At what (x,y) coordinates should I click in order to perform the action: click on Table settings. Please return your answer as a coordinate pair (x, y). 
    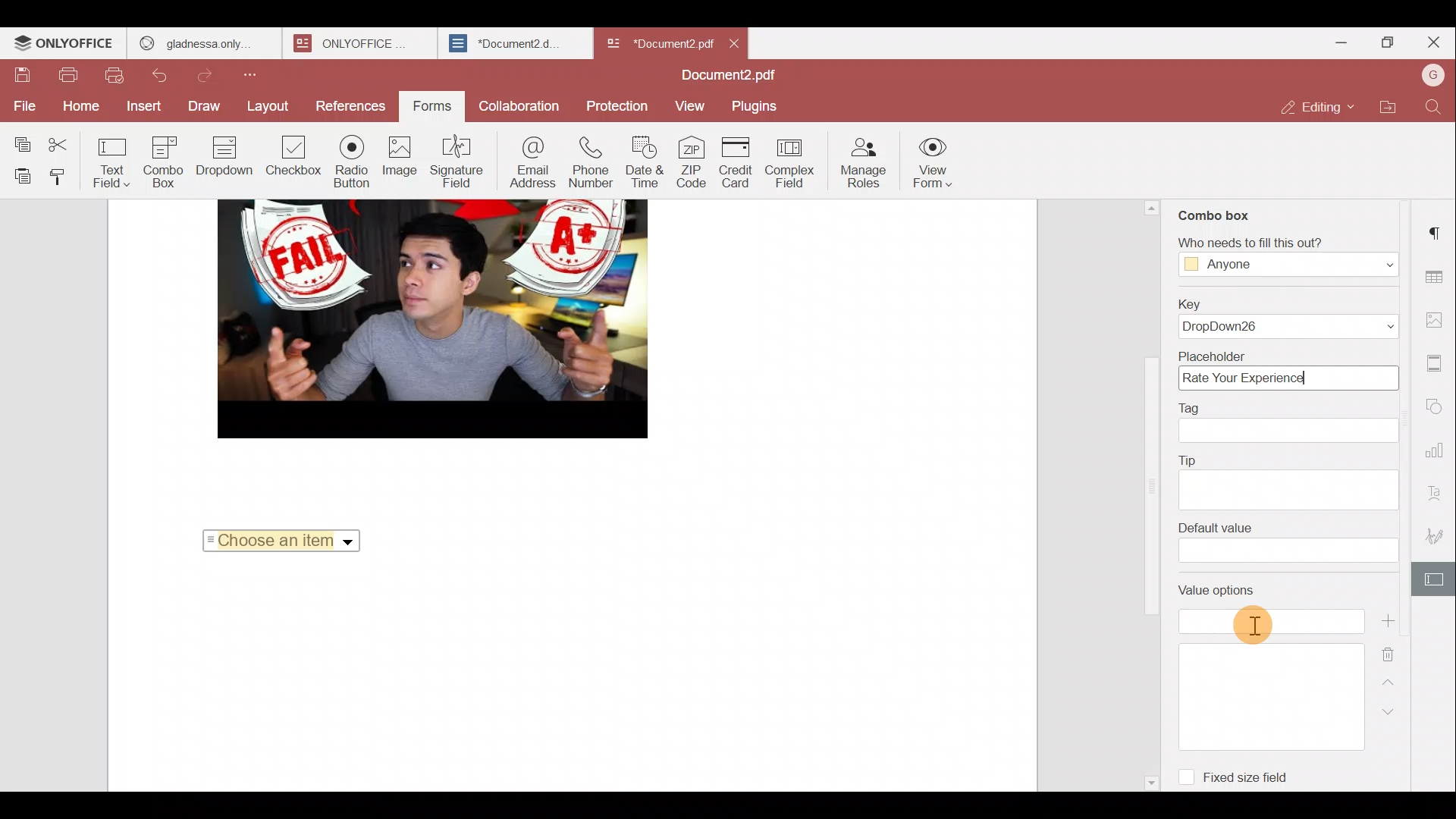
    Looking at the image, I should click on (1439, 277).